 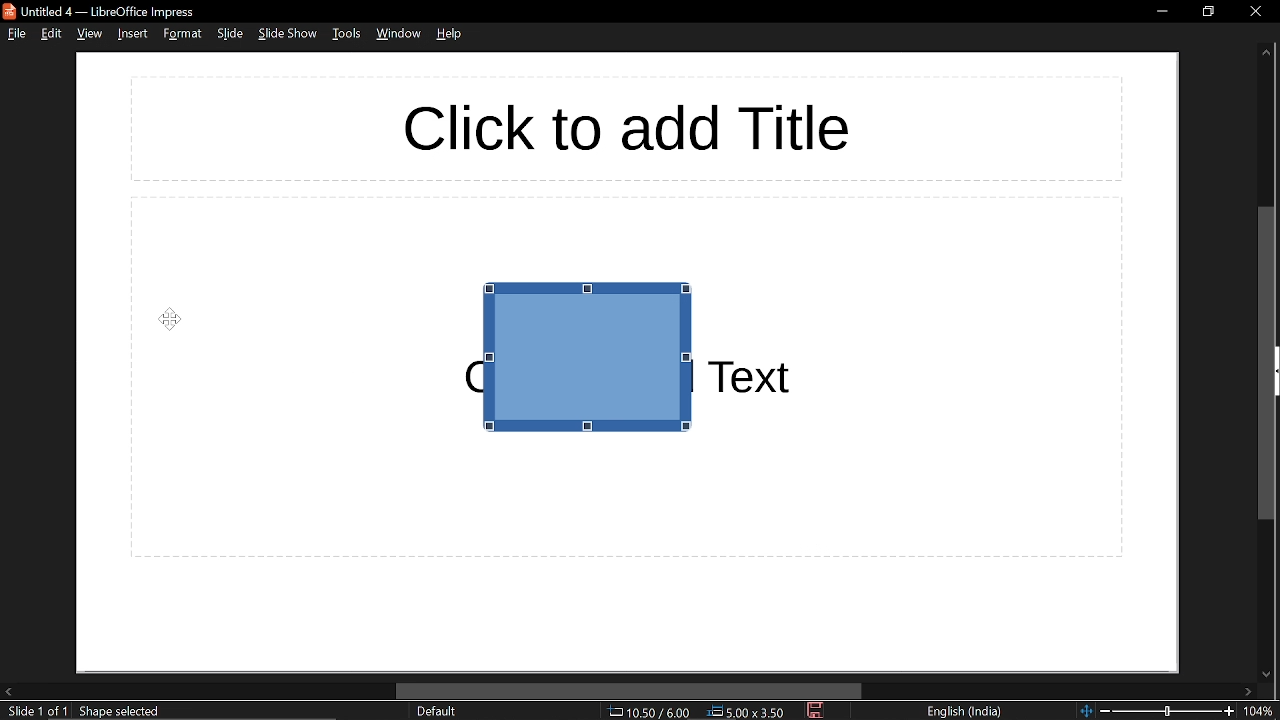 I want to click on vertical scrollbar, so click(x=1269, y=363).